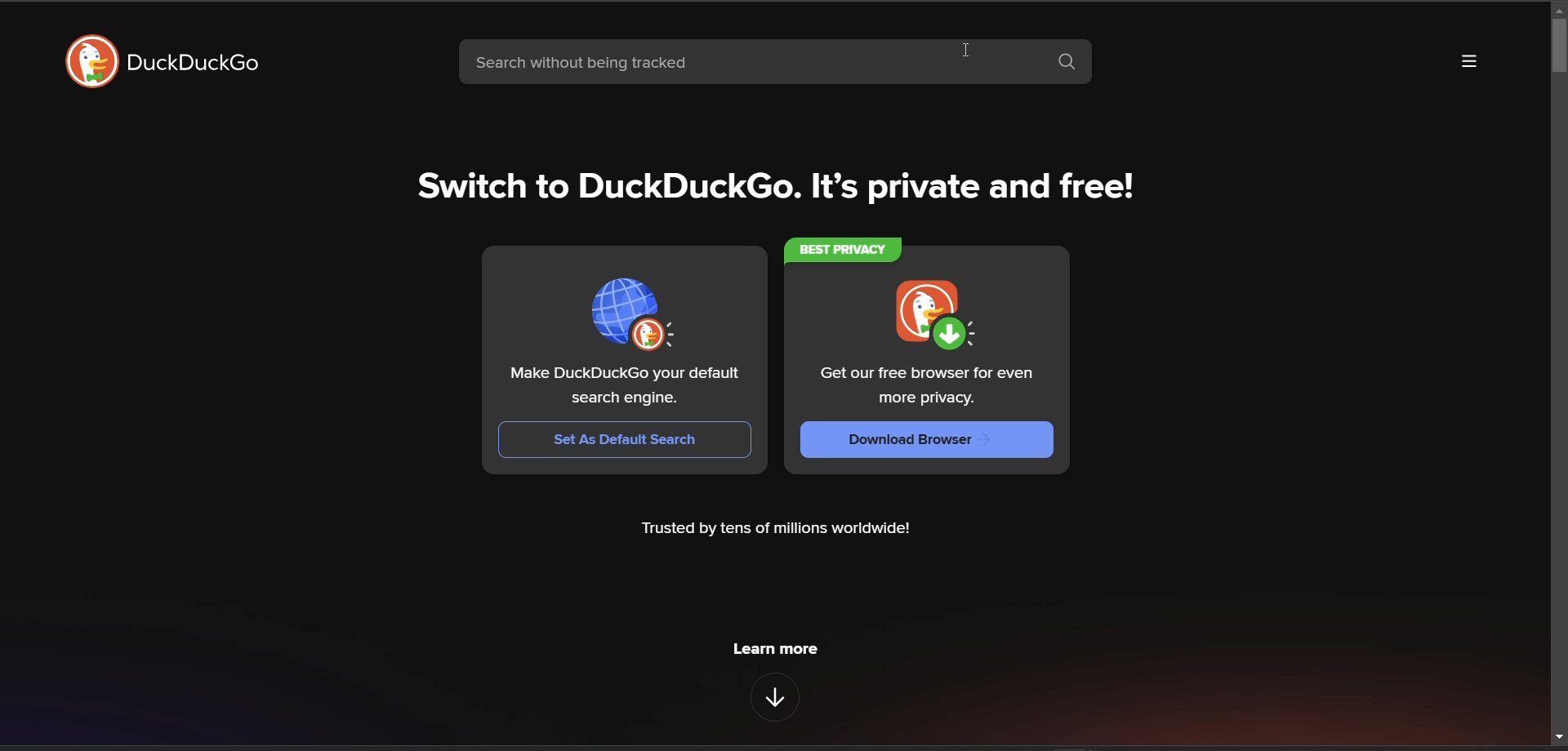 The width and height of the screenshot is (1568, 751). Describe the element at coordinates (1558, 47) in the screenshot. I see `vertical scroll bar` at that location.